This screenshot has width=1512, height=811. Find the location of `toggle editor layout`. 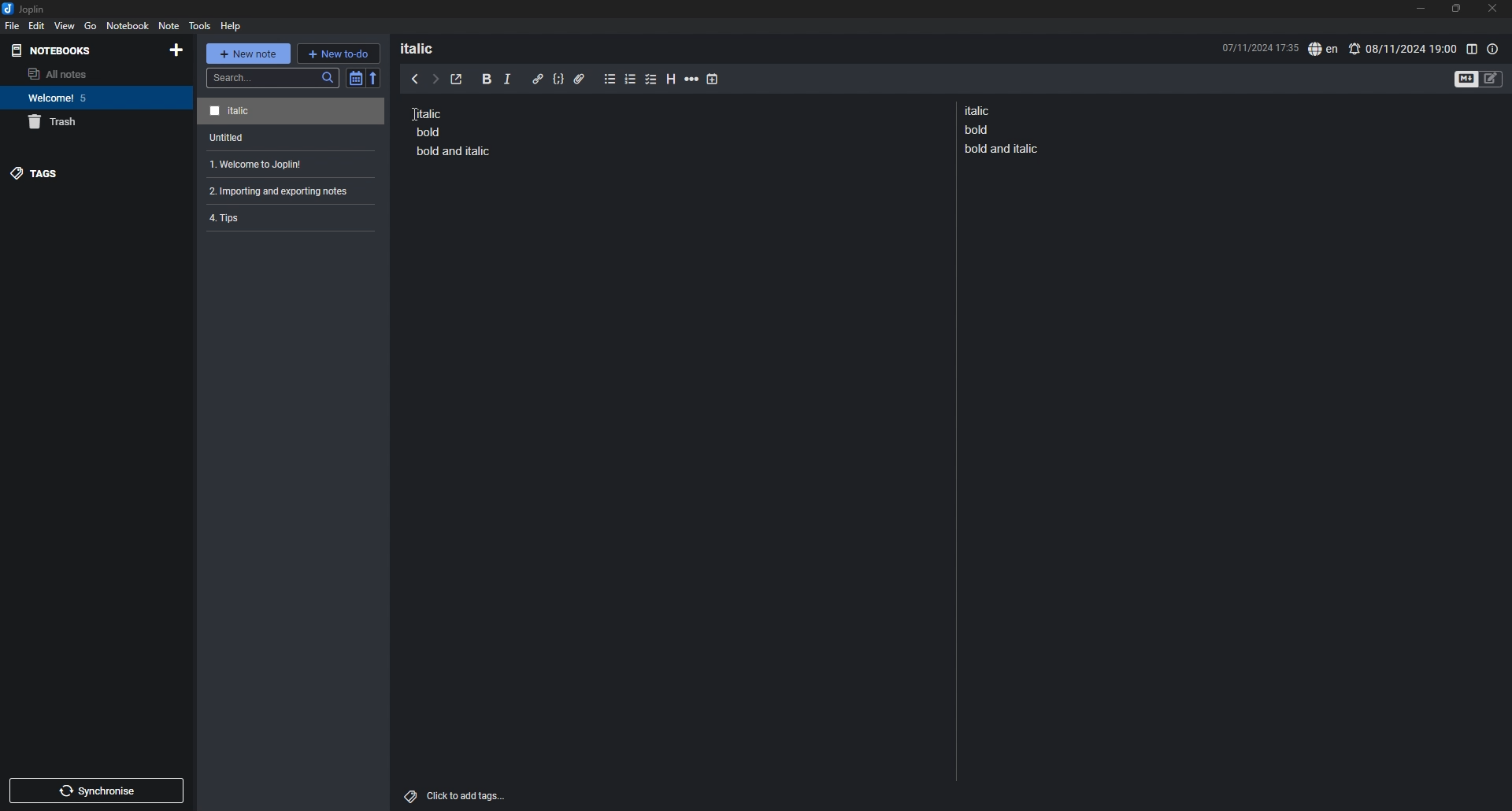

toggle editor layout is located at coordinates (1471, 49).